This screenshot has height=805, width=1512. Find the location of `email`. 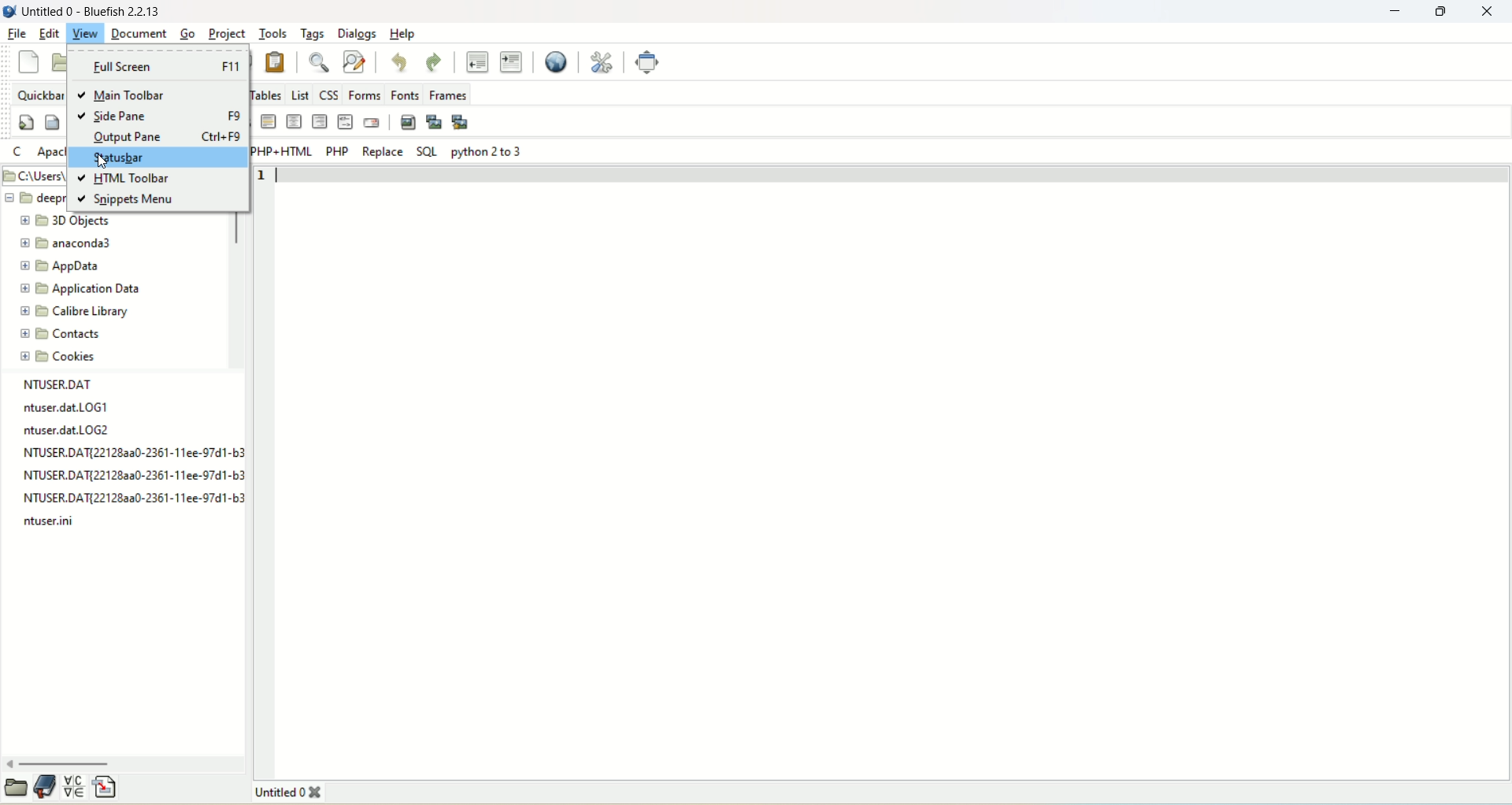

email is located at coordinates (373, 122).